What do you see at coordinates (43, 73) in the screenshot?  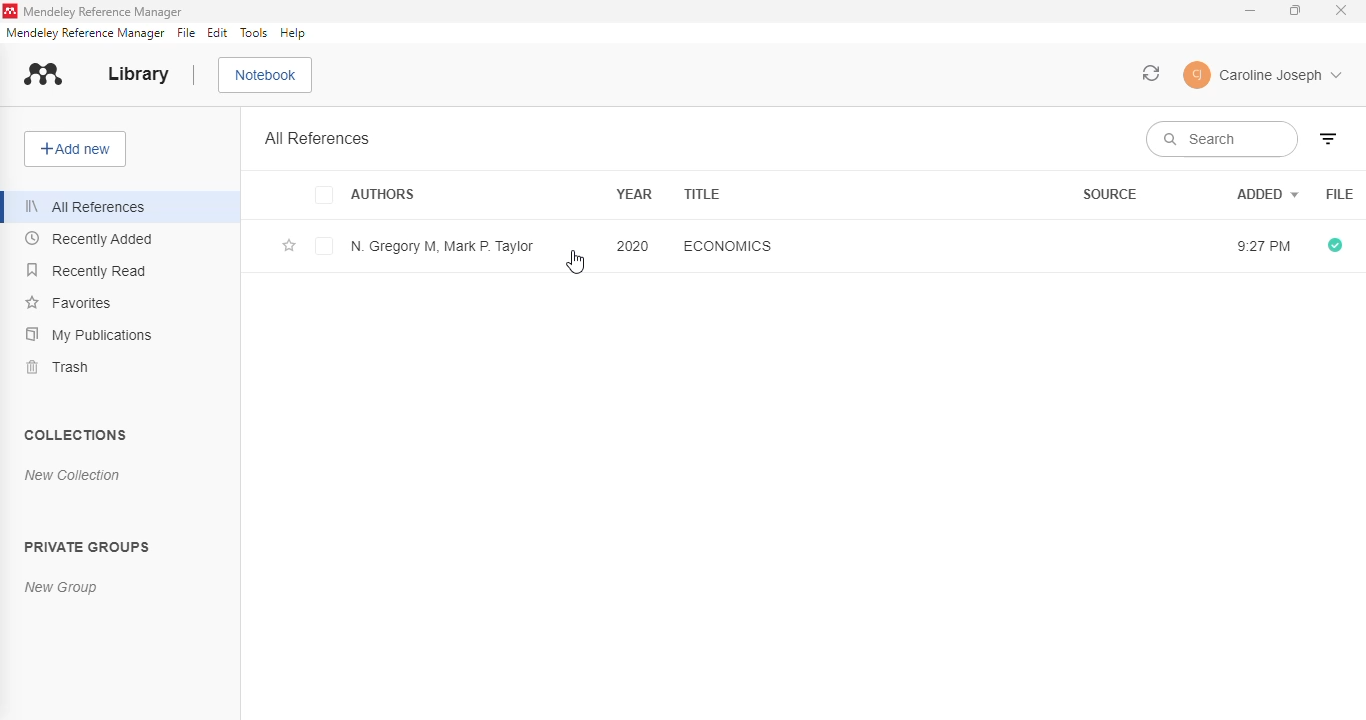 I see `logo` at bounding box center [43, 73].